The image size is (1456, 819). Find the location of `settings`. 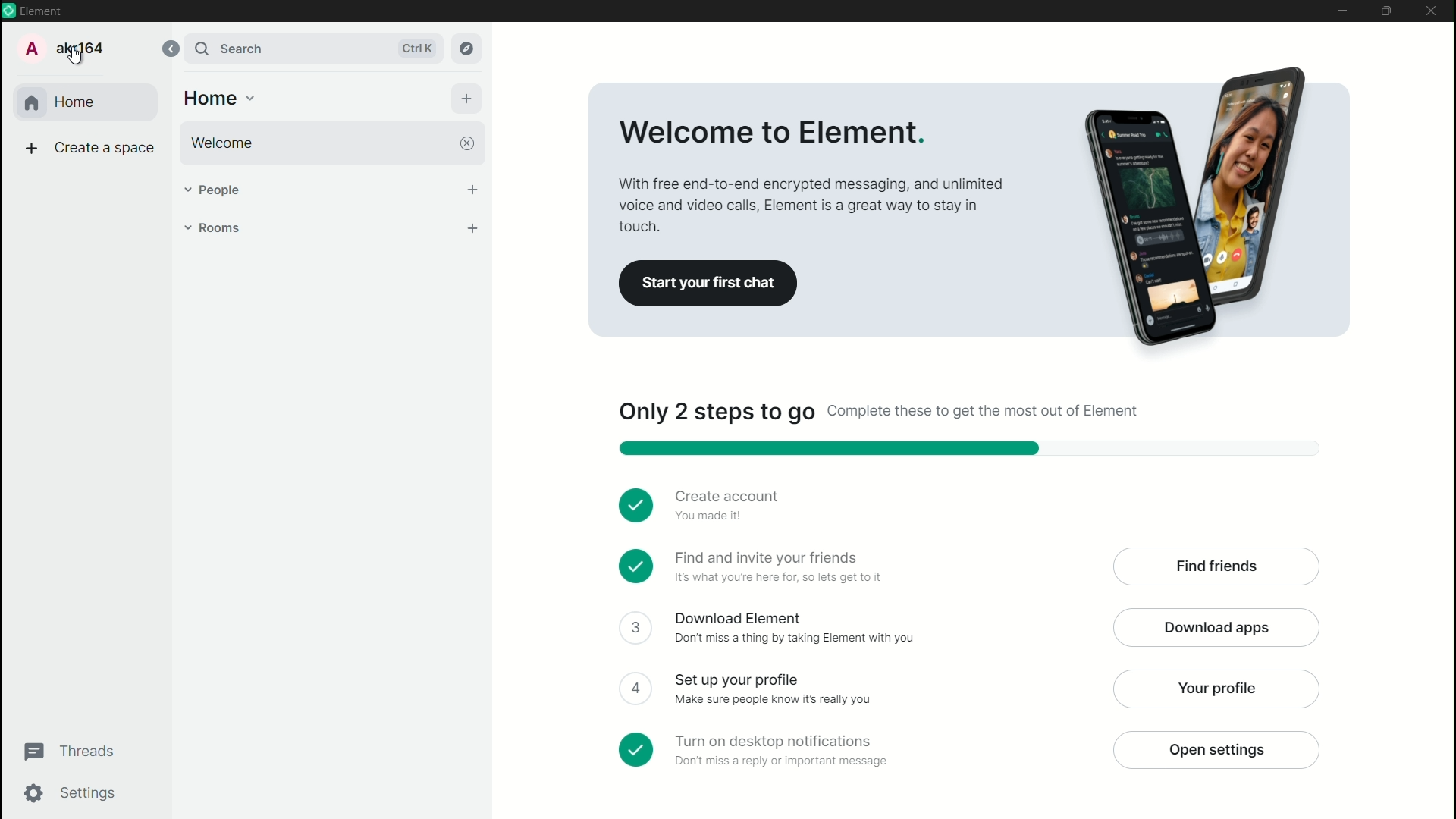

settings is located at coordinates (71, 795).